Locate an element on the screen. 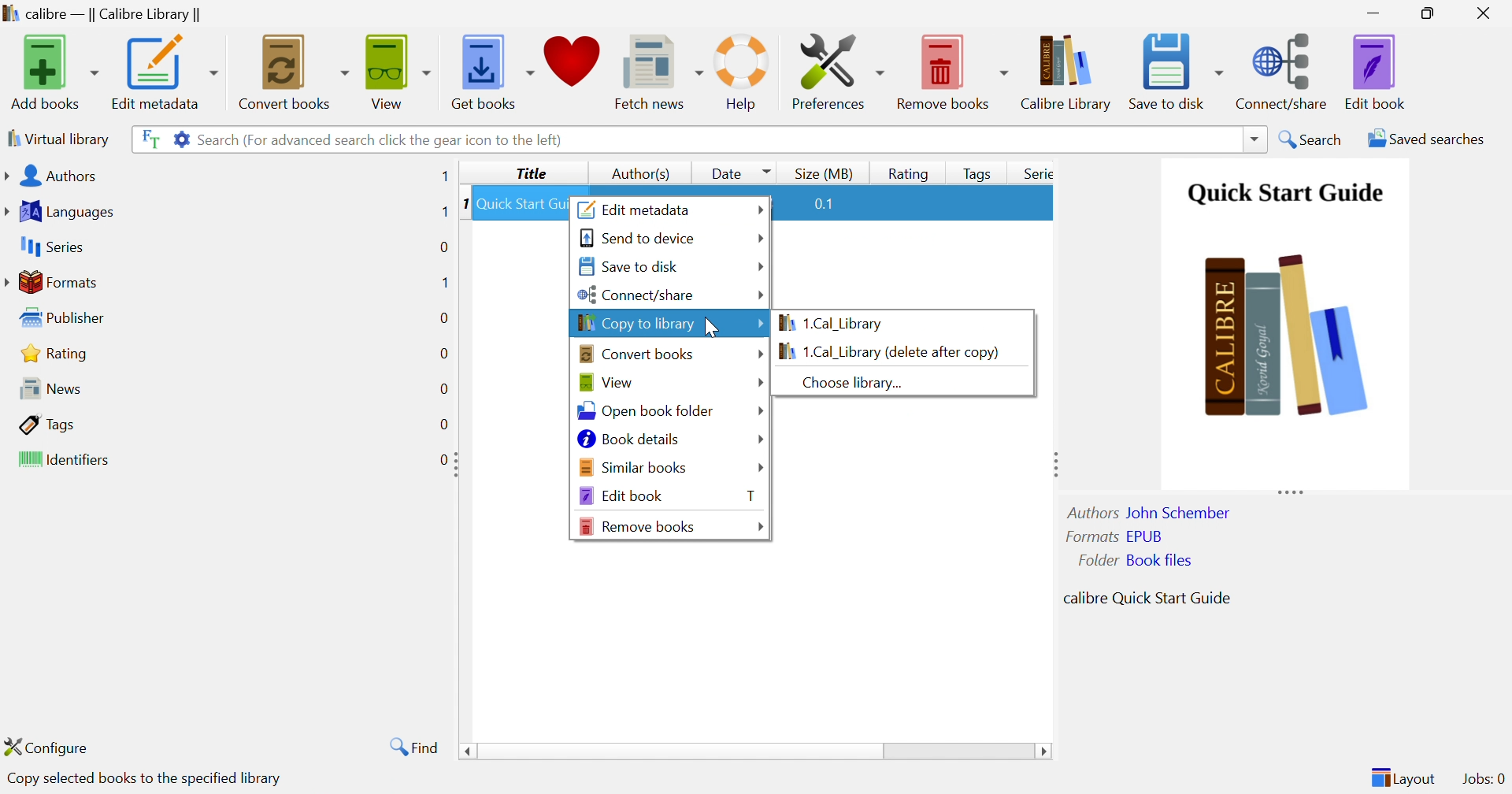 The image size is (1512, 794). Drop Down is located at coordinates (1251, 138).